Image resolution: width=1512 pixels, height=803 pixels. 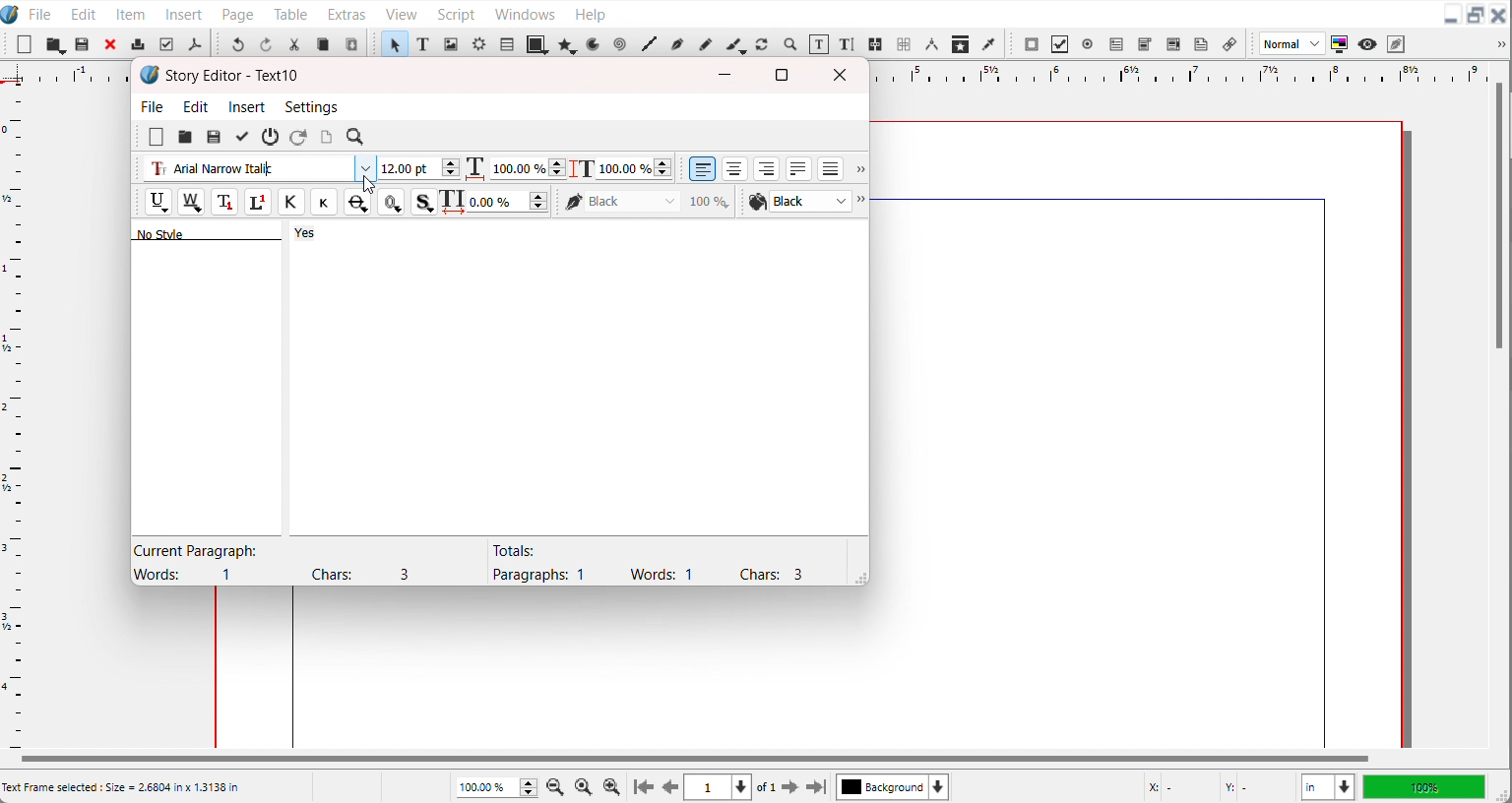 What do you see at coordinates (849, 45) in the screenshot?
I see `Edit Text` at bounding box center [849, 45].